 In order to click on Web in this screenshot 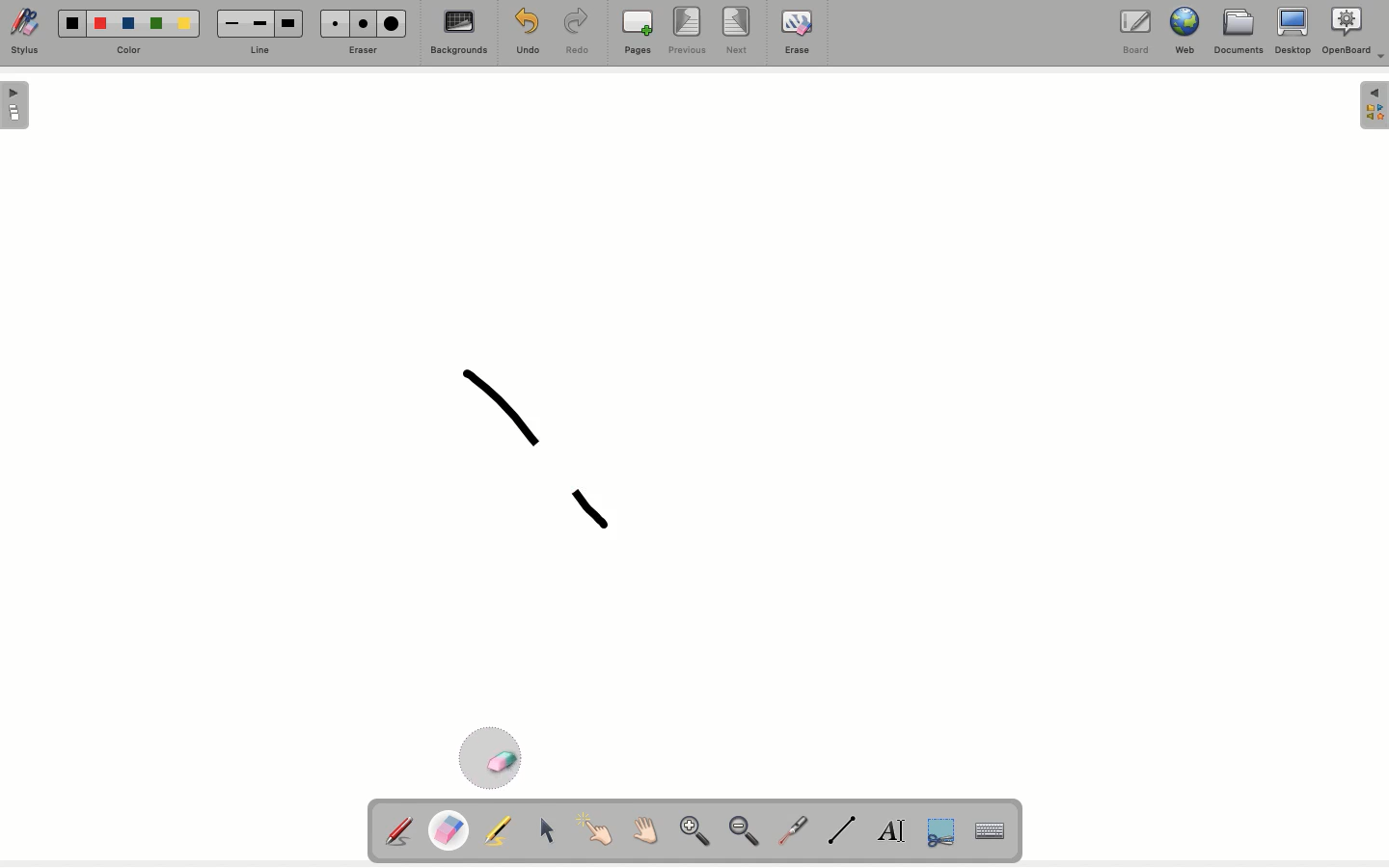, I will do `click(1187, 32)`.